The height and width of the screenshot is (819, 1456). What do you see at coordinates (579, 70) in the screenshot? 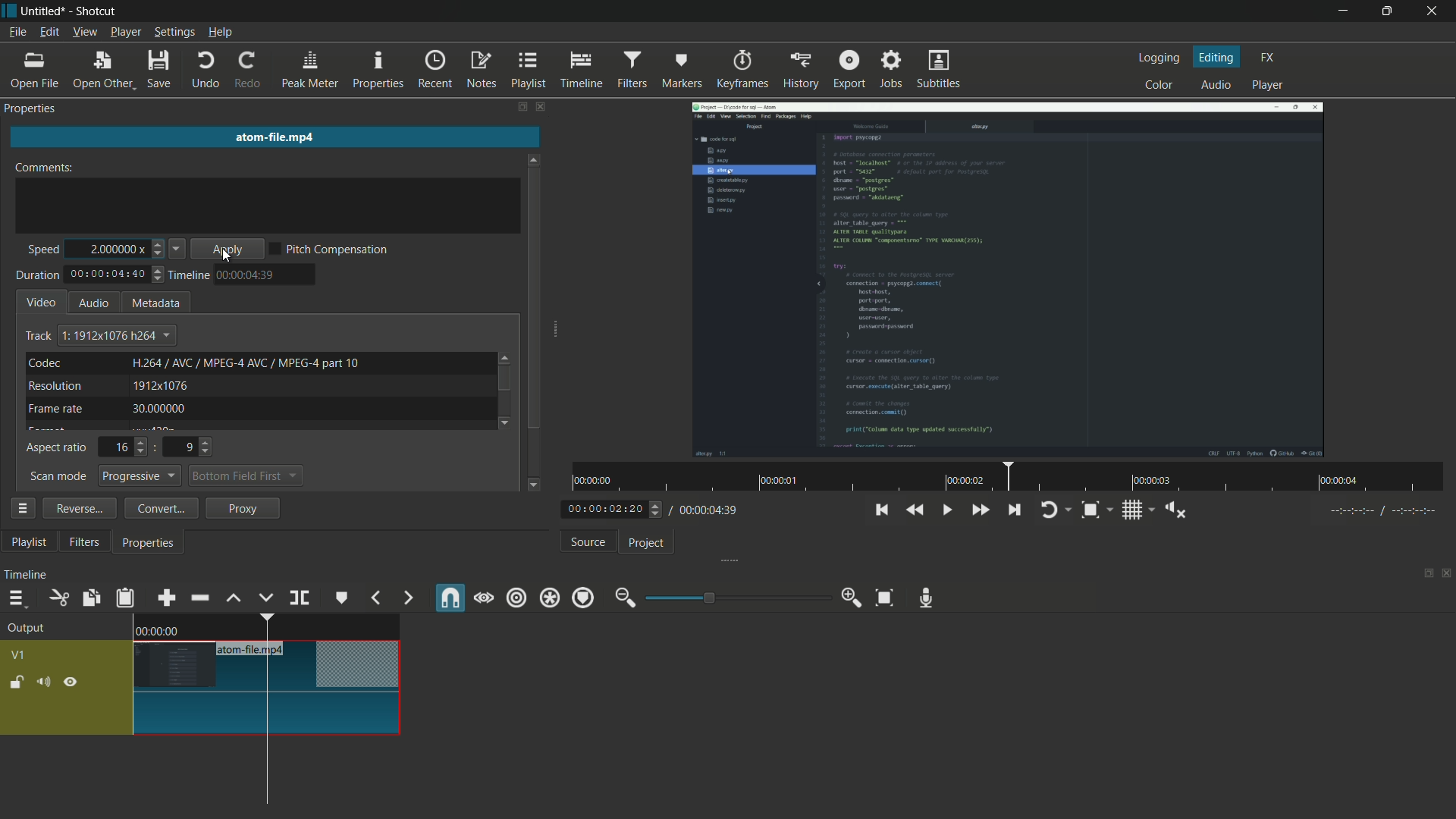
I see `timeline` at bounding box center [579, 70].